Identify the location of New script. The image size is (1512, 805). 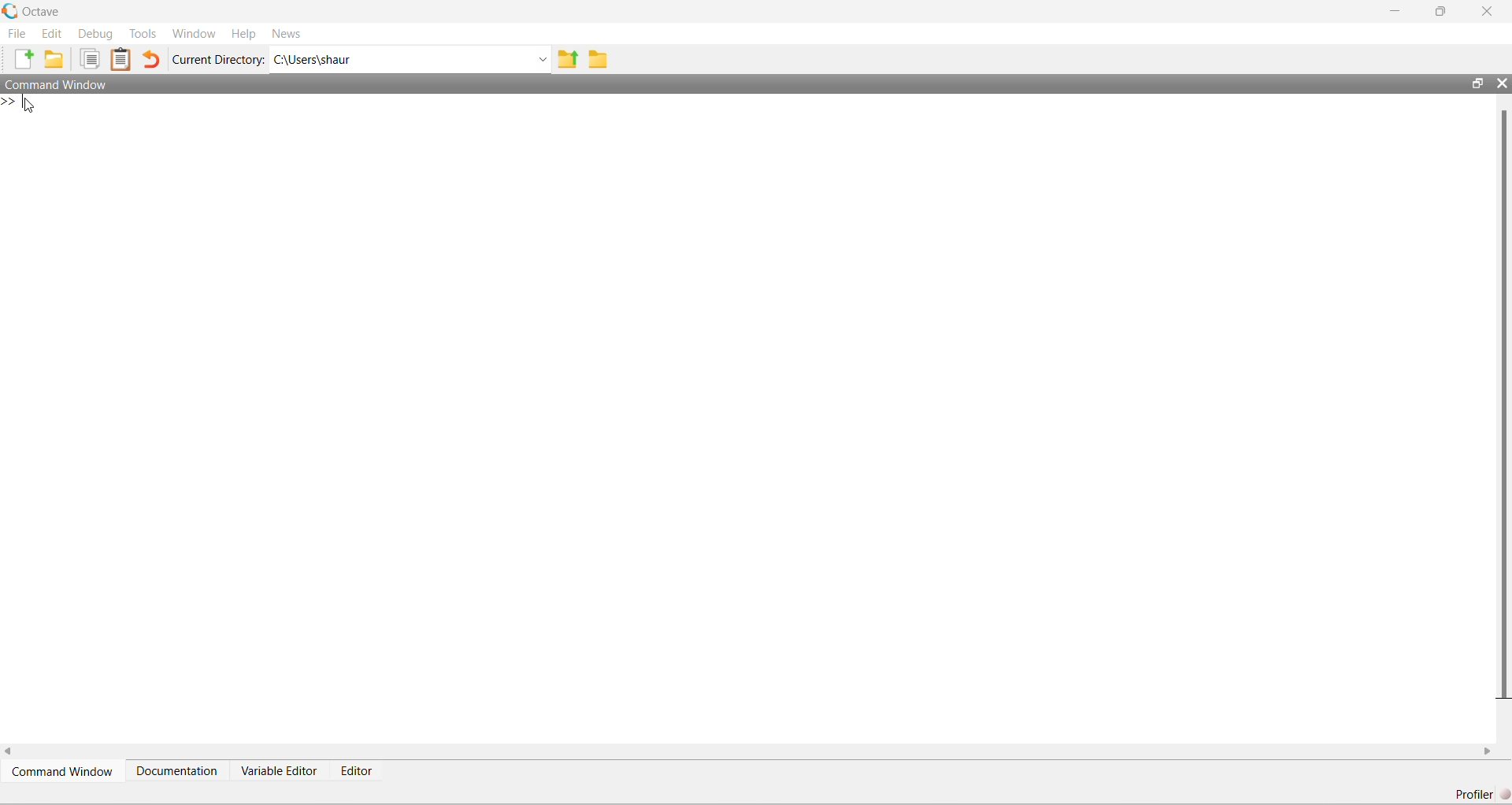
(21, 59).